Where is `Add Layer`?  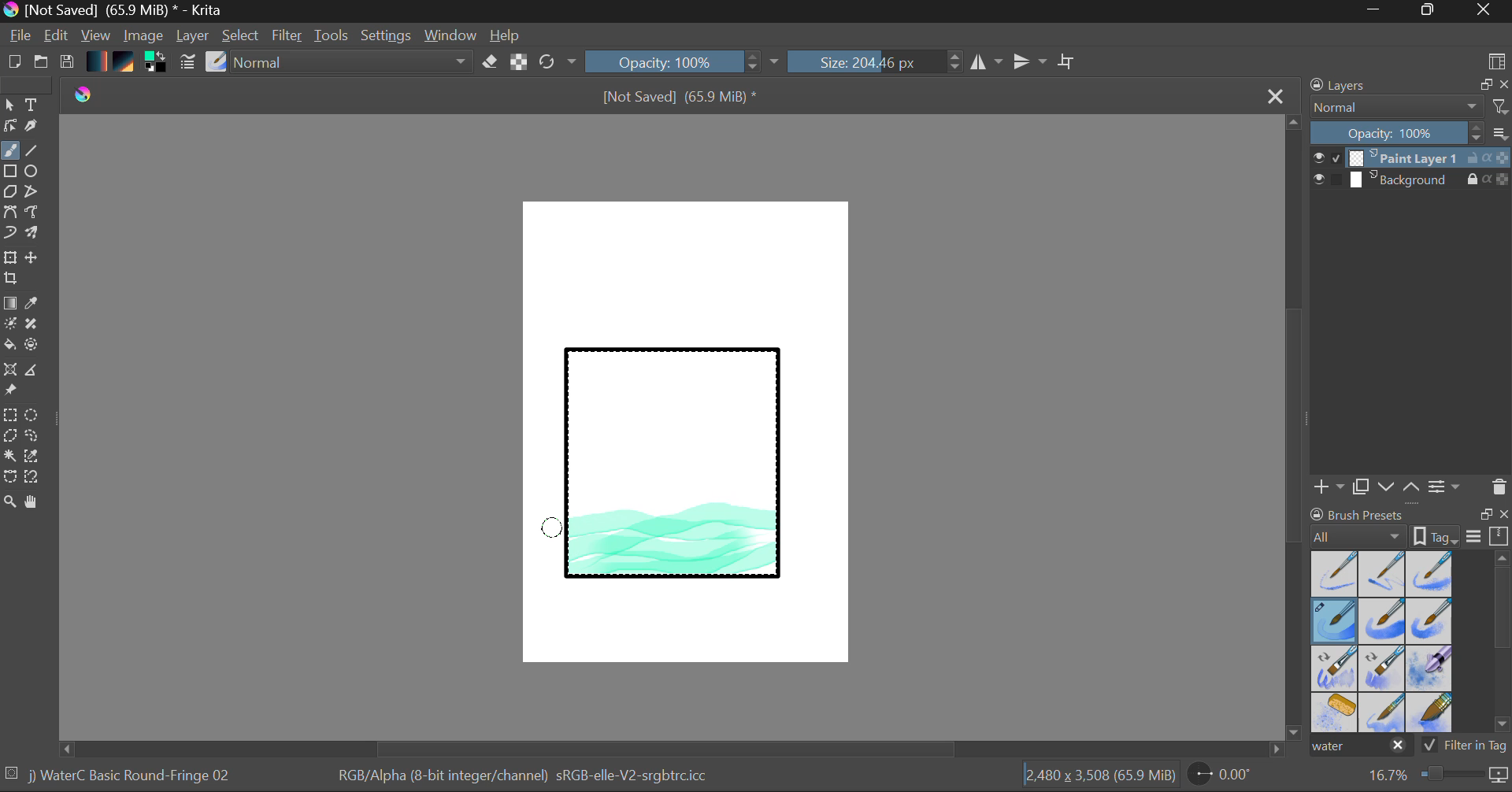
Add Layer is located at coordinates (1329, 487).